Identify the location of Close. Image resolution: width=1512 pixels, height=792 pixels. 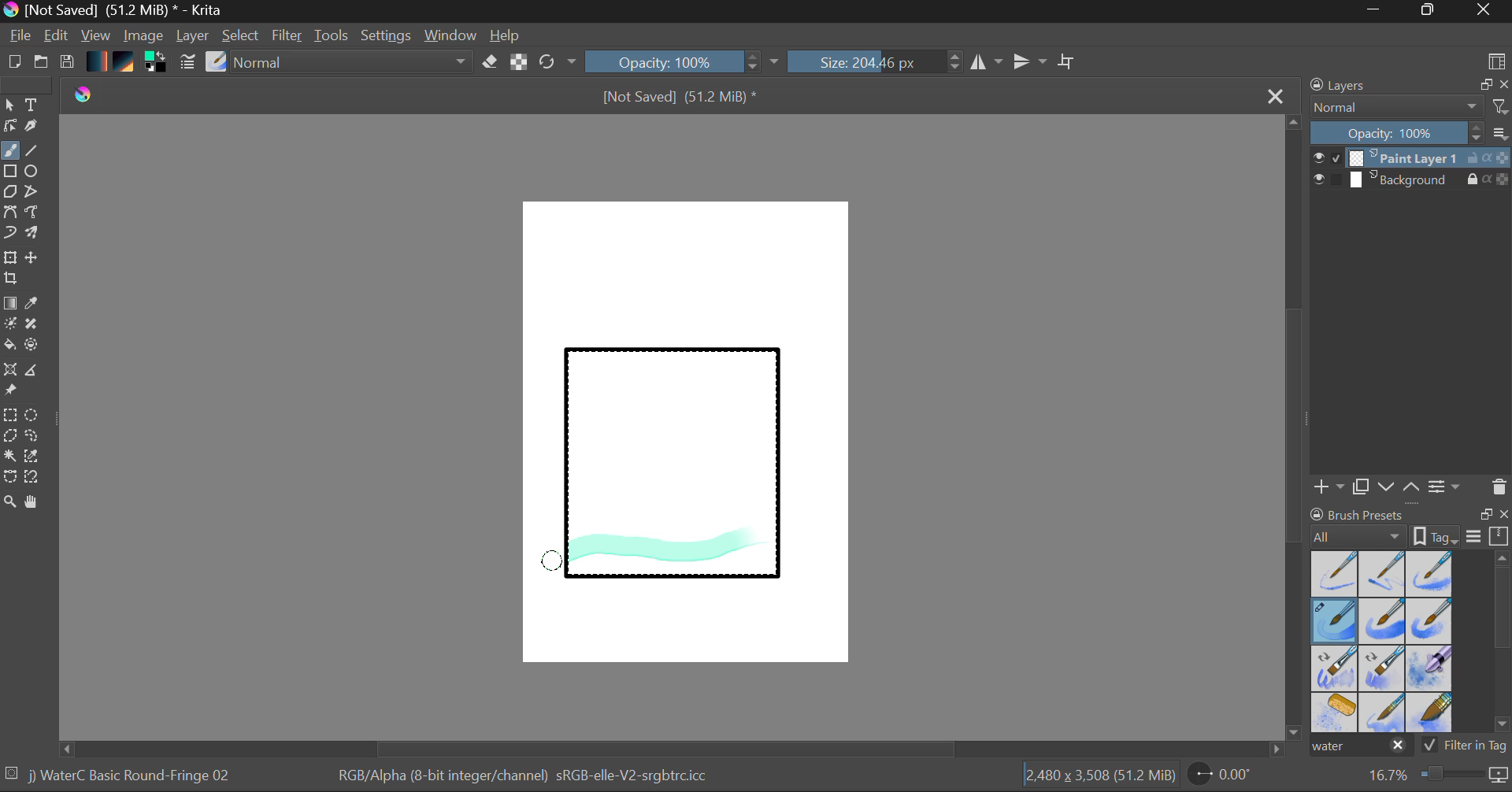
(1277, 95).